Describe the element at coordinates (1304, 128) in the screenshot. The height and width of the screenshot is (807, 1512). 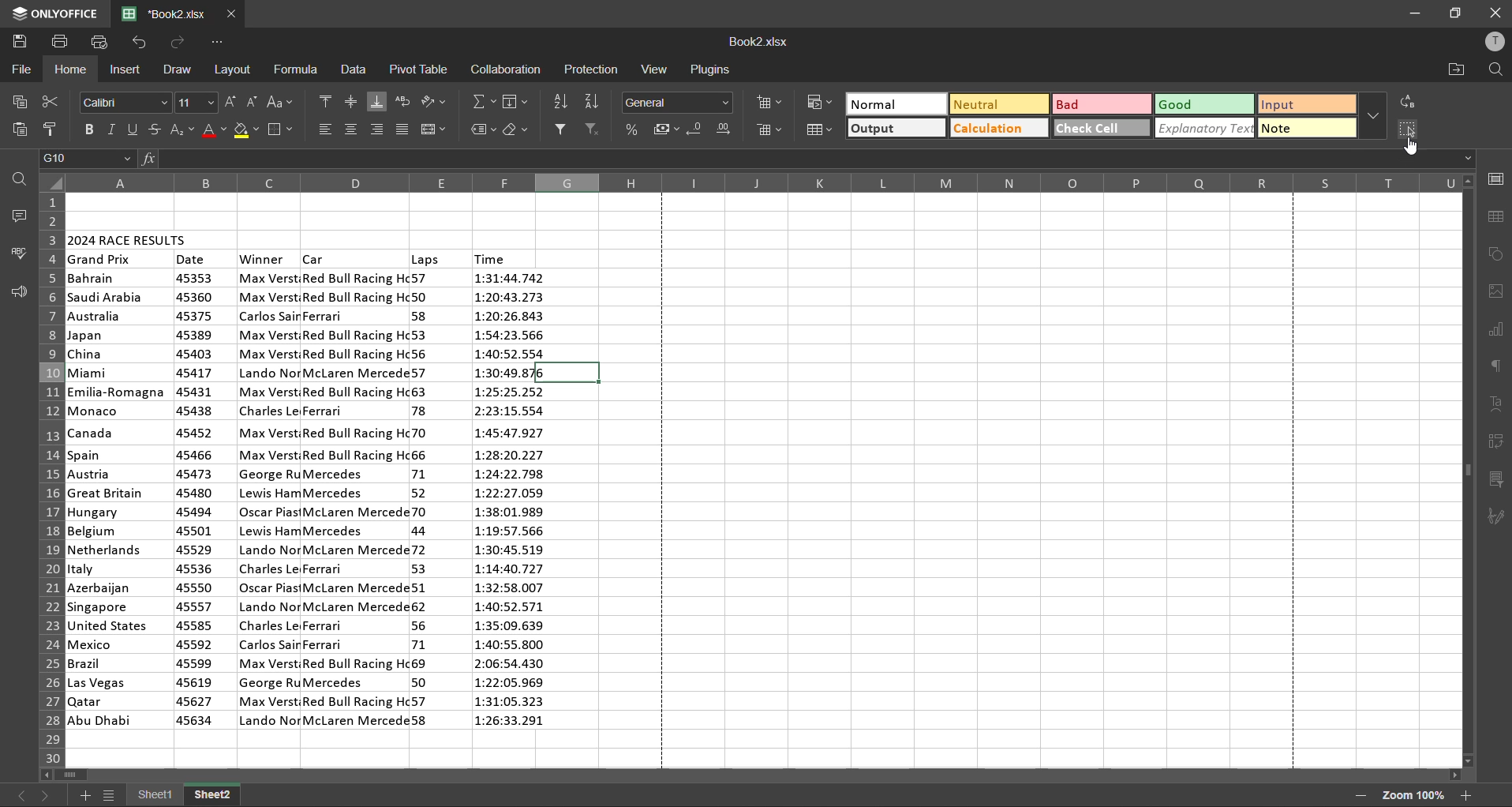
I see `note` at that location.